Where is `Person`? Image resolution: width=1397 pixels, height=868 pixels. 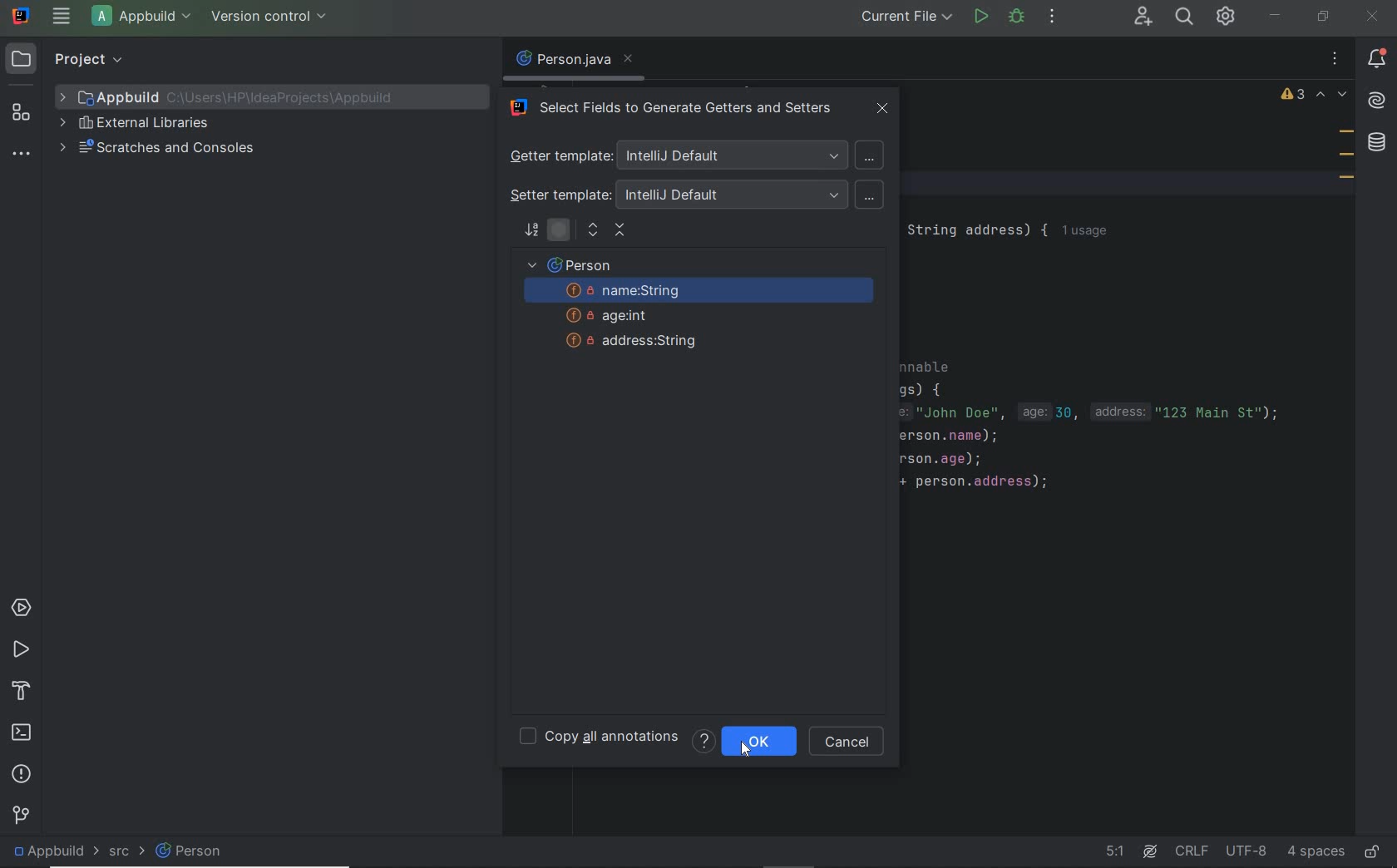
Person is located at coordinates (575, 265).